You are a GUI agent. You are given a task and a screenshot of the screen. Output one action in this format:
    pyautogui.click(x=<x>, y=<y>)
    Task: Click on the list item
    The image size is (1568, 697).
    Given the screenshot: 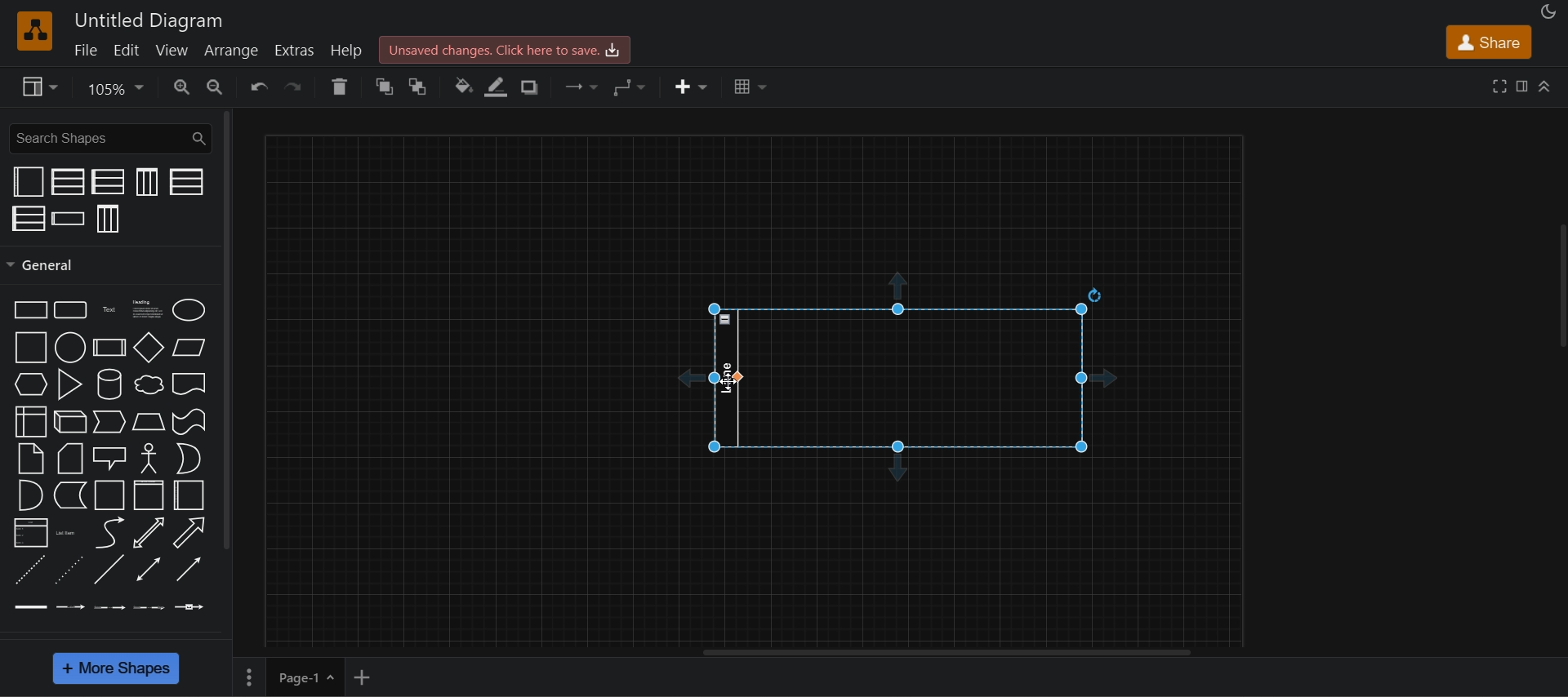 What is the action you would take?
    pyautogui.click(x=67, y=534)
    